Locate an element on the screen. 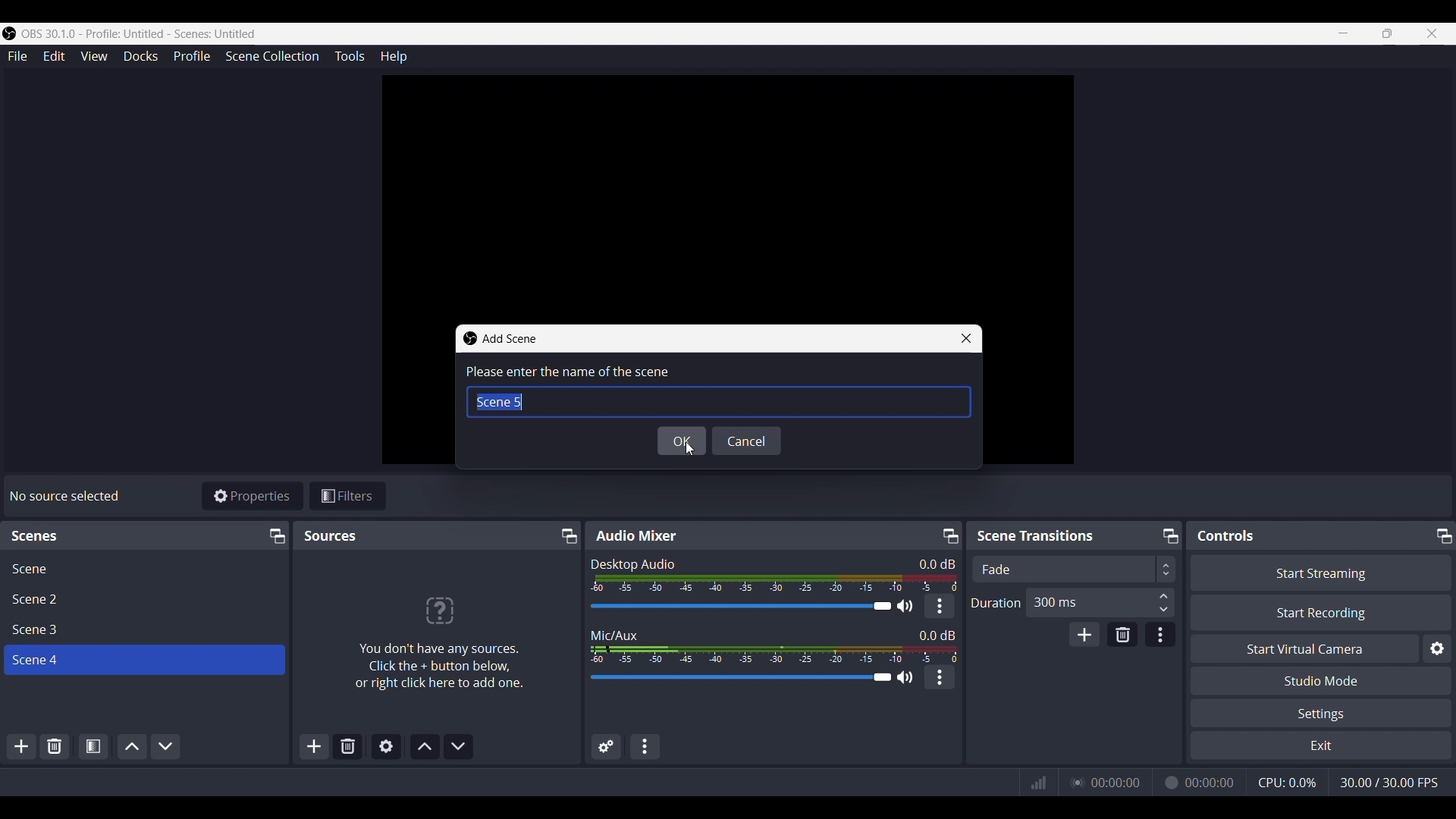  Remove Configurable transition is located at coordinates (1123, 634).